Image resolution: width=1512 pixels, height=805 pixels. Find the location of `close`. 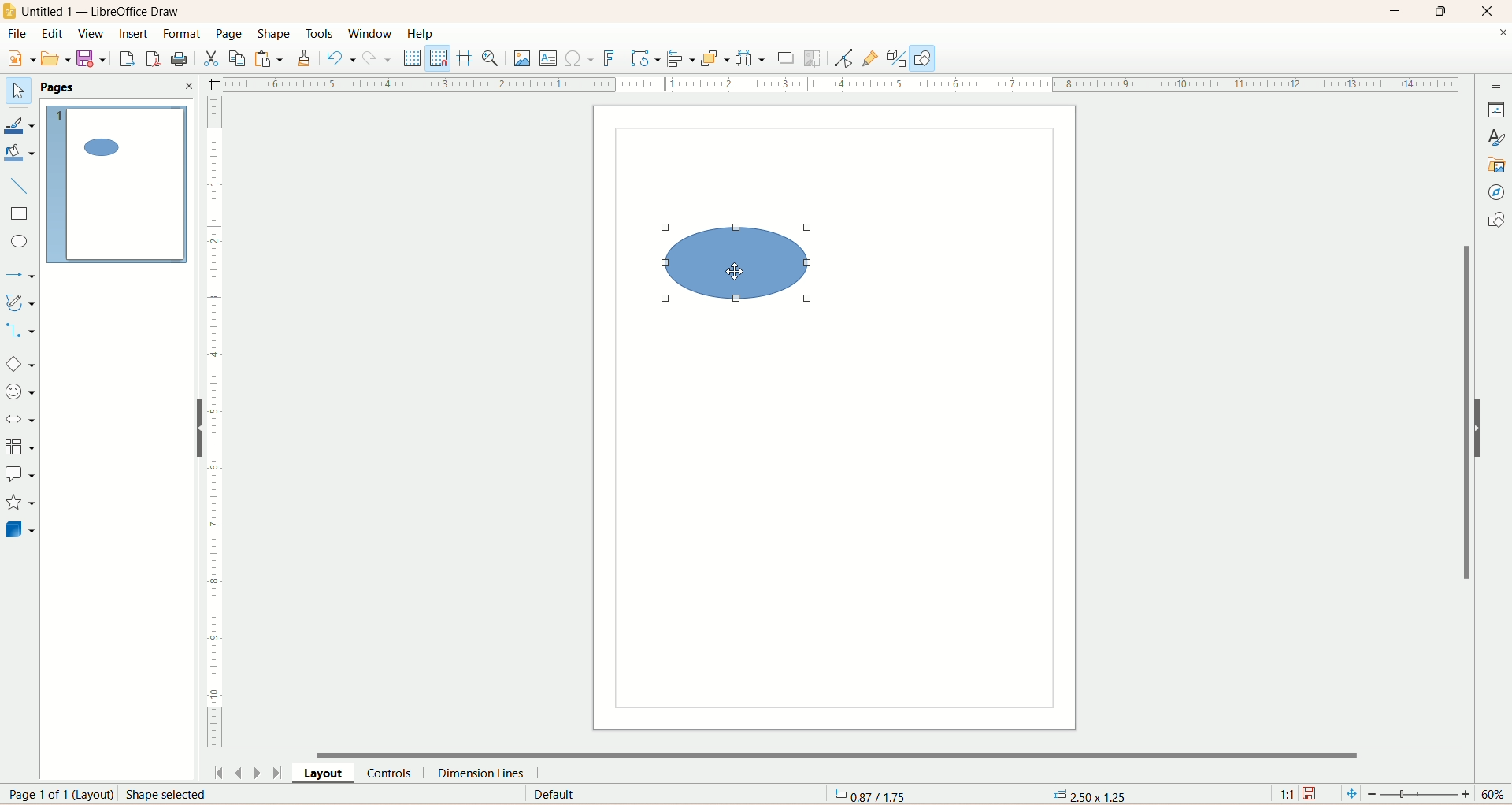

close is located at coordinates (188, 87).